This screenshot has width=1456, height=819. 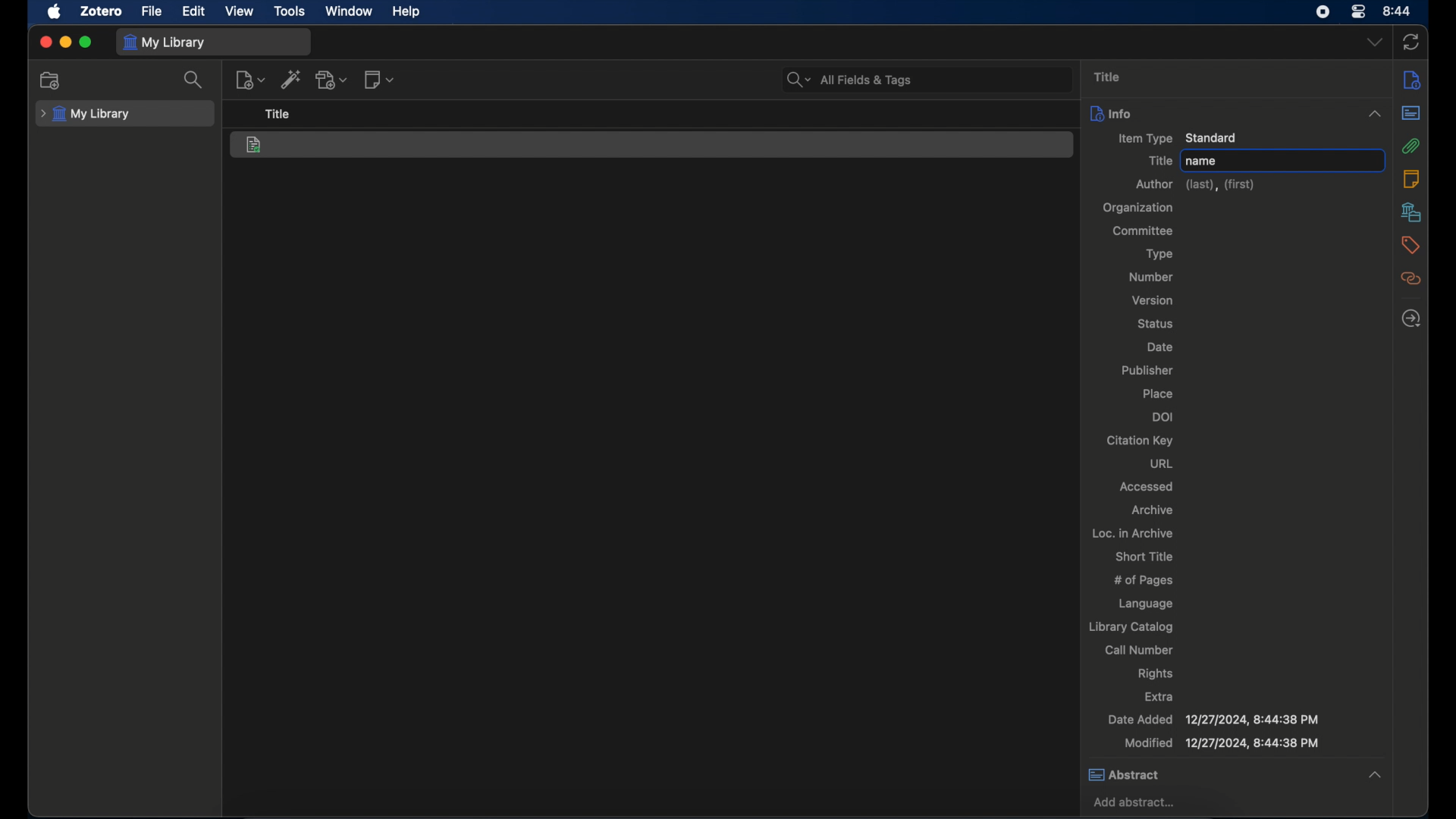 What do you see at coordinates (1157, 347) in the screenshot?
I see `date` at bounding box center [1157, 347].